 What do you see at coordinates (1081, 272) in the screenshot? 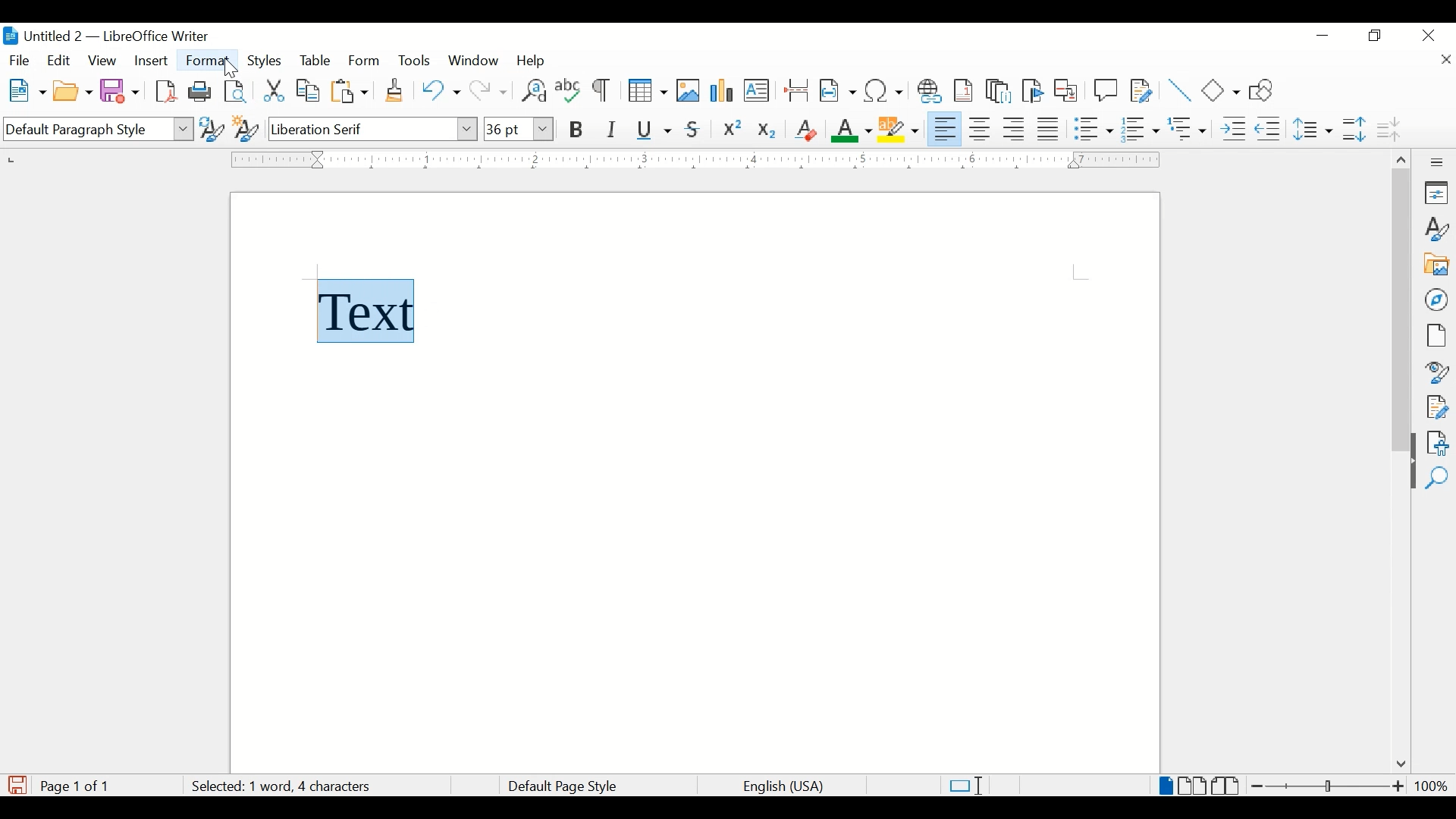
I see `guides` at bounding box center [1081, 272].